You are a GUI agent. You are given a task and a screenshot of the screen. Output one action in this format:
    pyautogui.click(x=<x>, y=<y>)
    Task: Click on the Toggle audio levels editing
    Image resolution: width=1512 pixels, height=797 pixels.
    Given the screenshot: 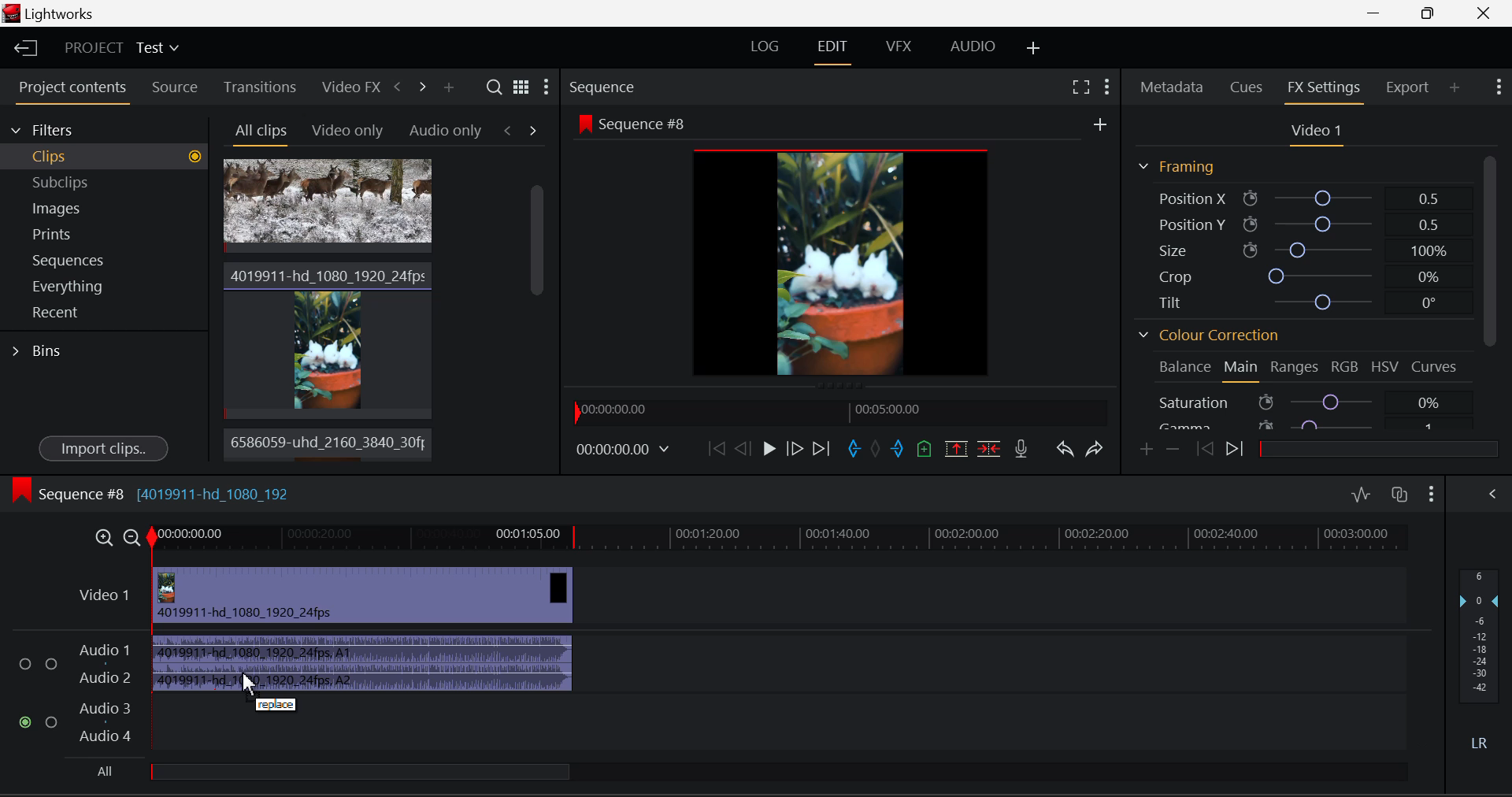 What is the action you would take?
    pyautogui.click(x=1360, y=494)
    